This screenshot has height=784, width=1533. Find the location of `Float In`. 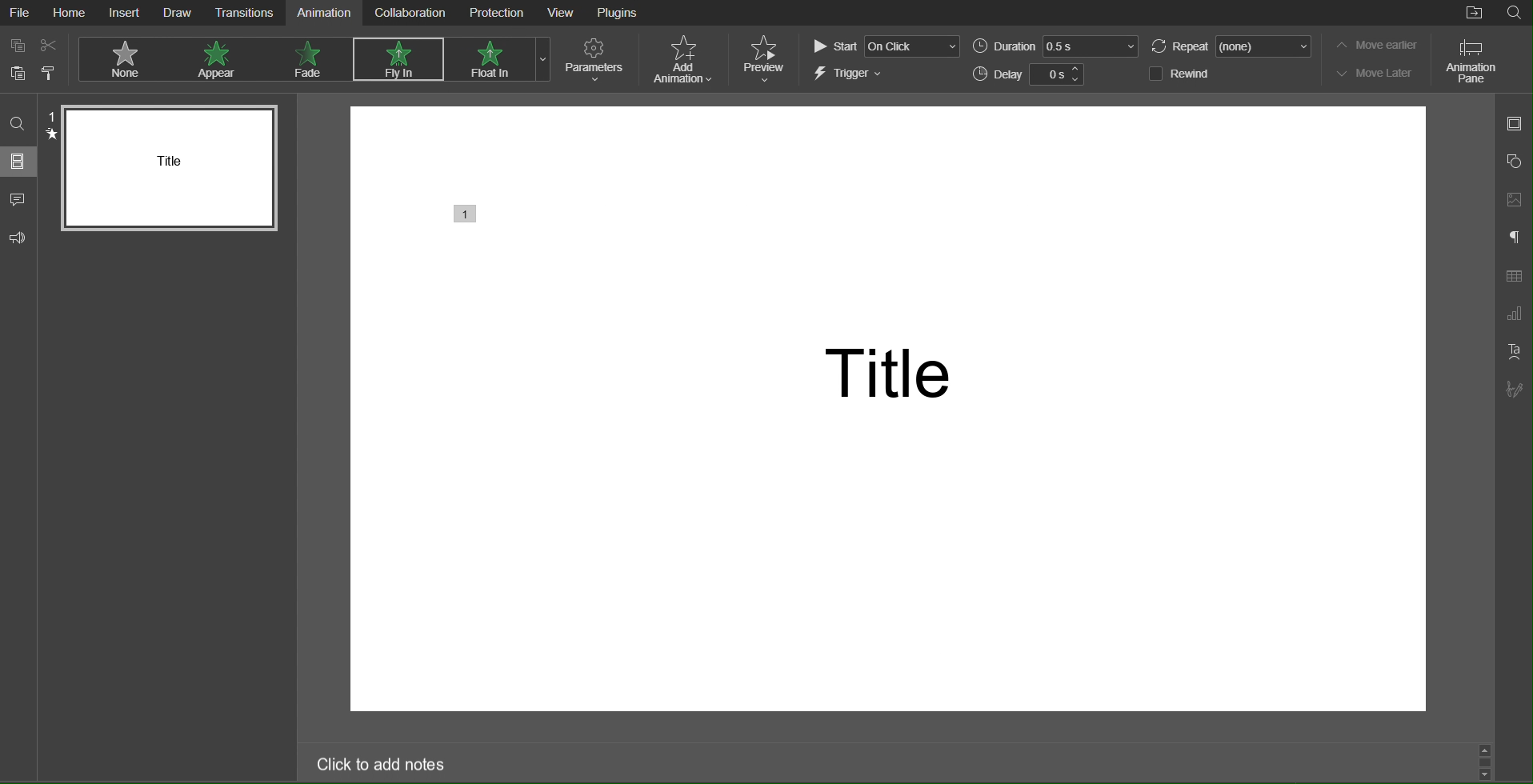

Float In is located at coordinates (488, 59).